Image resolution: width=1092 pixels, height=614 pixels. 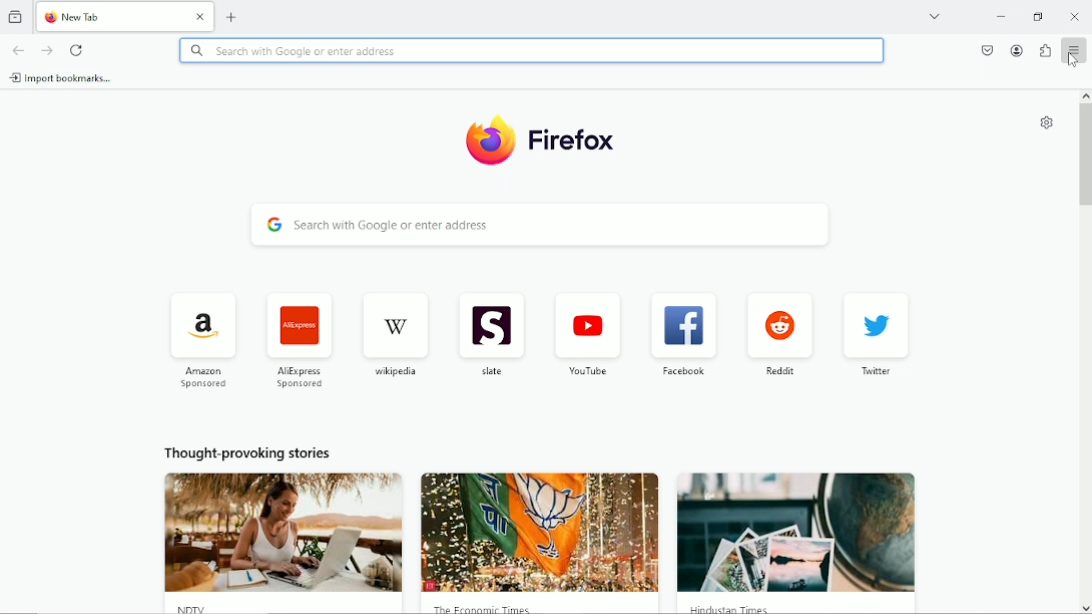 What do you see at coordinates (780, 374) in the screenshot?
I see `reddit` at bounding box center [780, 374].